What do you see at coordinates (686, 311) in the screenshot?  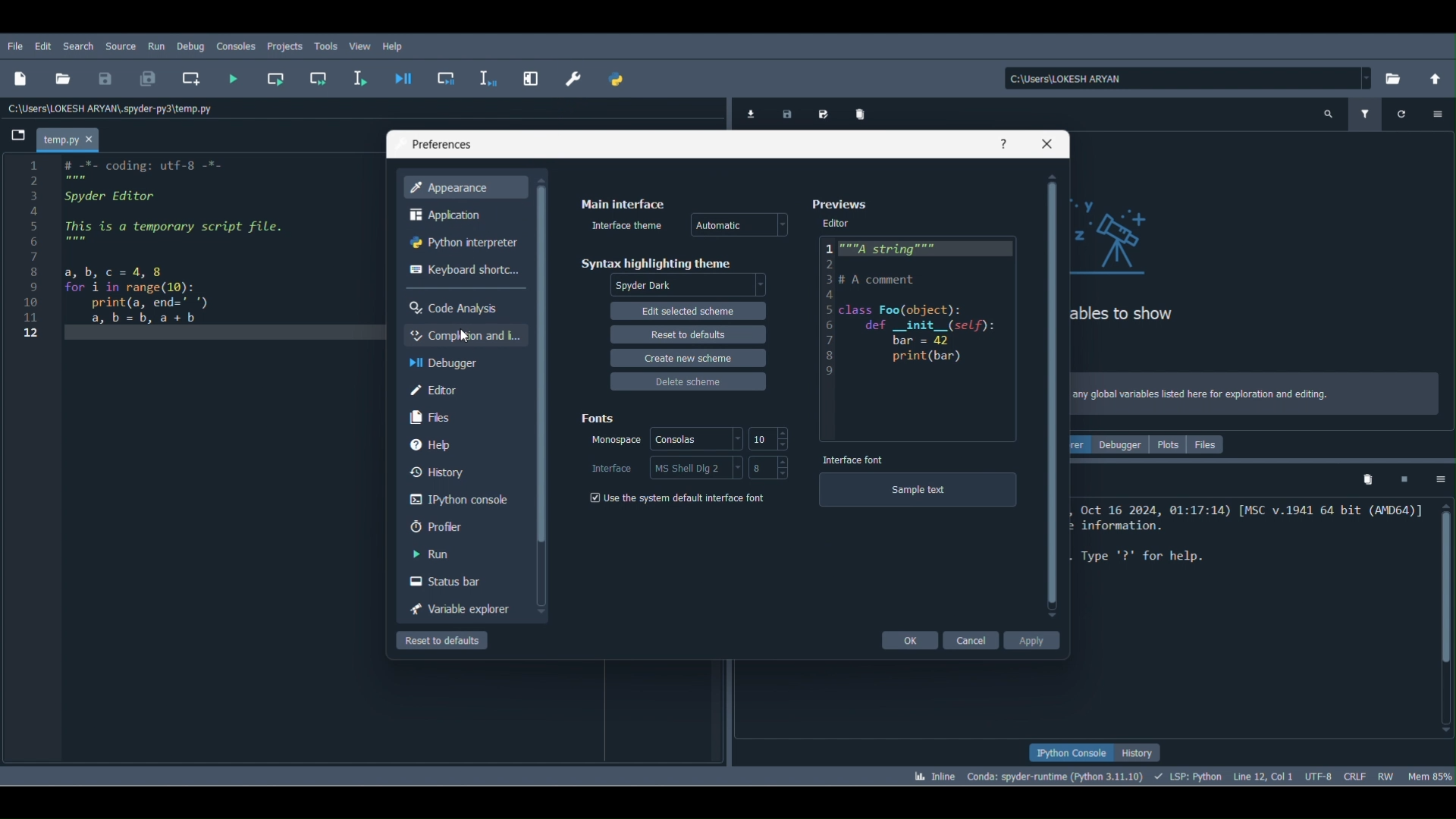 I see `Edit selected scheme` at bounding box center [686, 311].